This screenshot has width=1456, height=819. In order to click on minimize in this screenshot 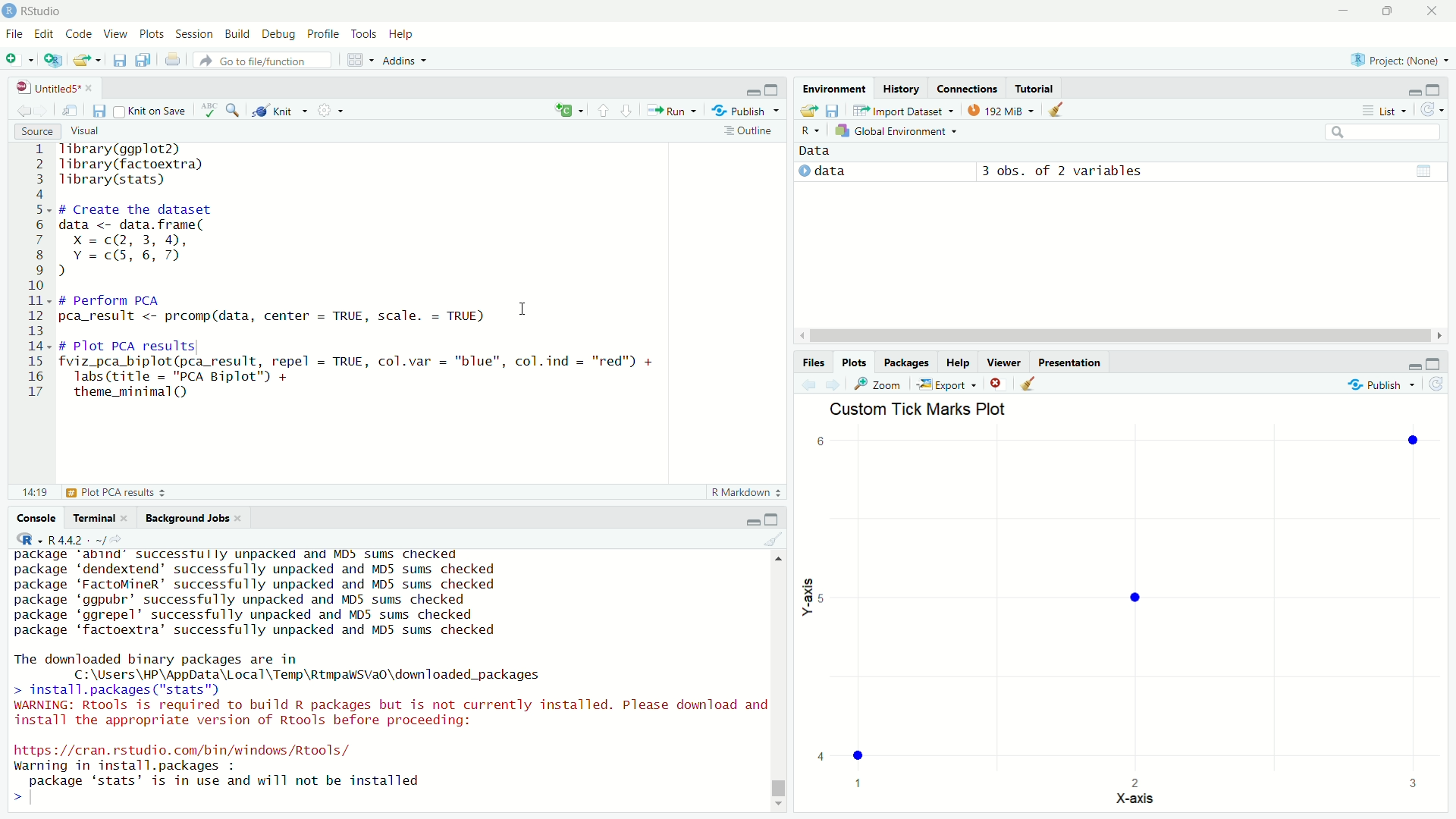, I will do `click(1344, 11)`.